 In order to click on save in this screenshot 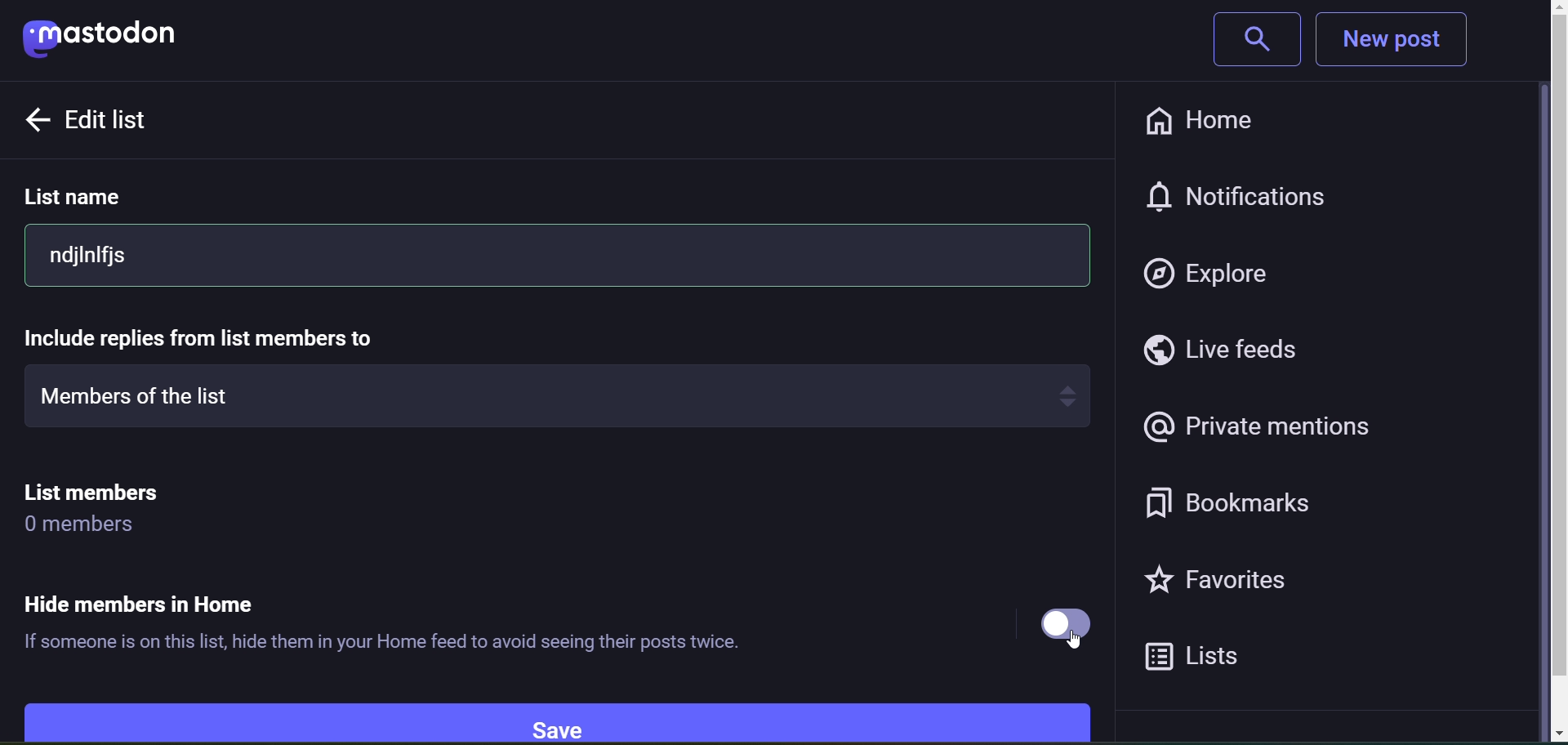, I will do `click(575, 716)`.